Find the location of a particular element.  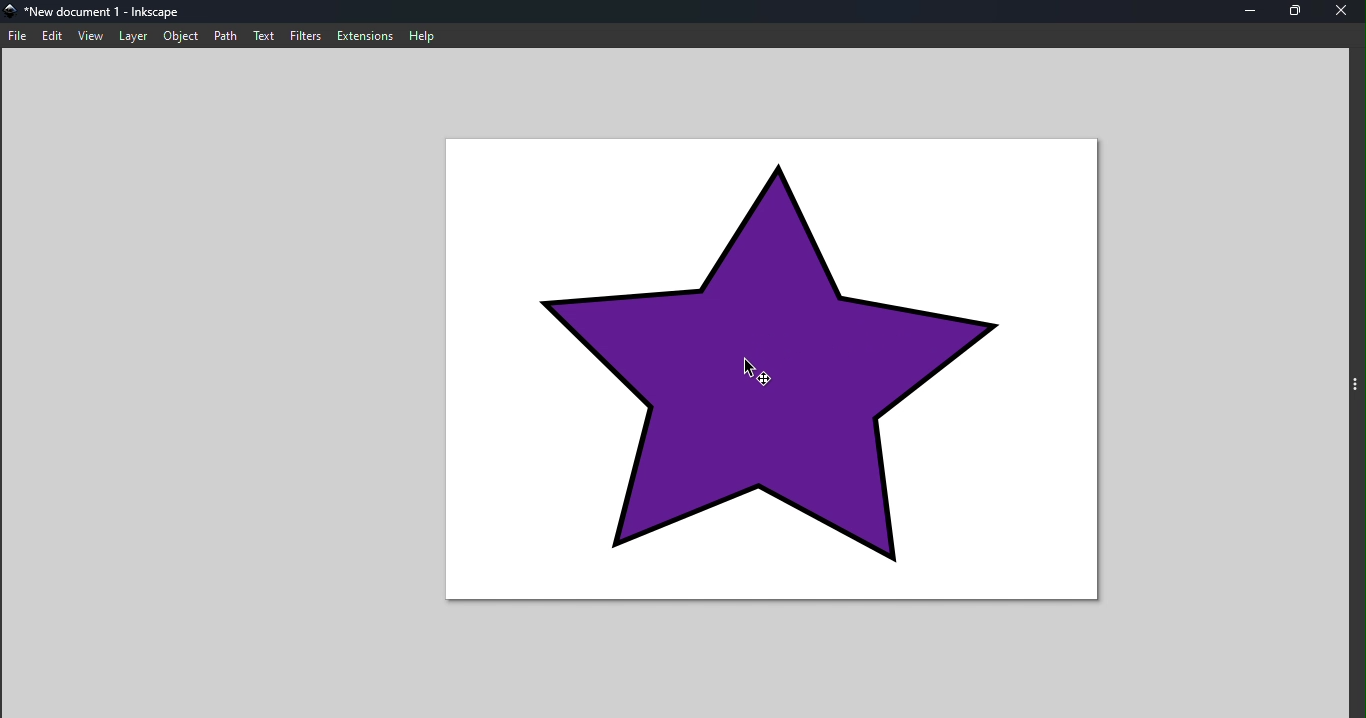

Object is located at coordinates (181, 37).